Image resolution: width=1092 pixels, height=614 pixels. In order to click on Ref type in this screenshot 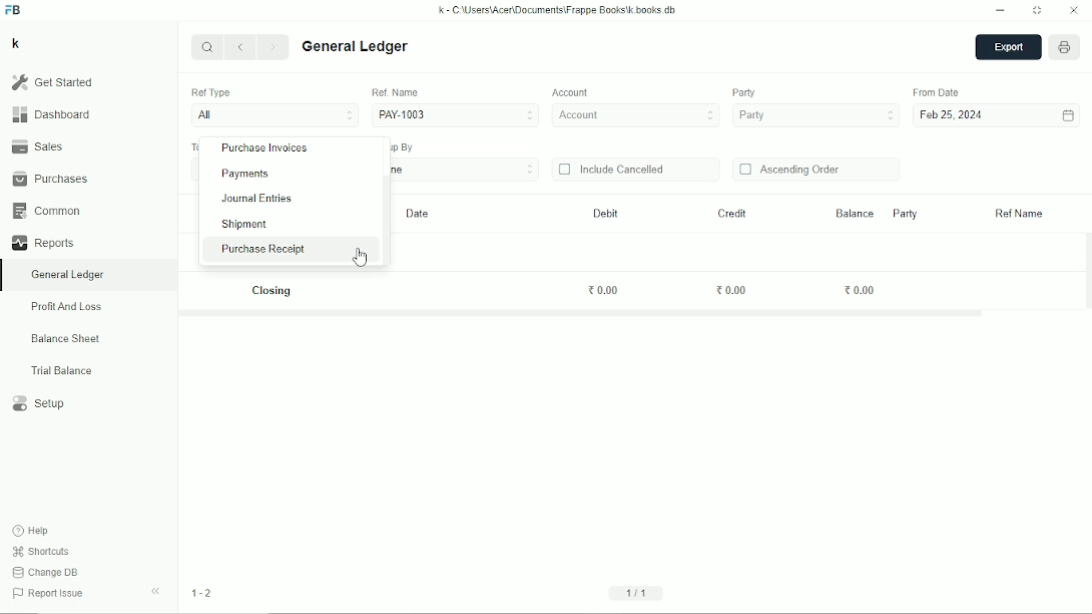, I will do `click(210, 93)`.